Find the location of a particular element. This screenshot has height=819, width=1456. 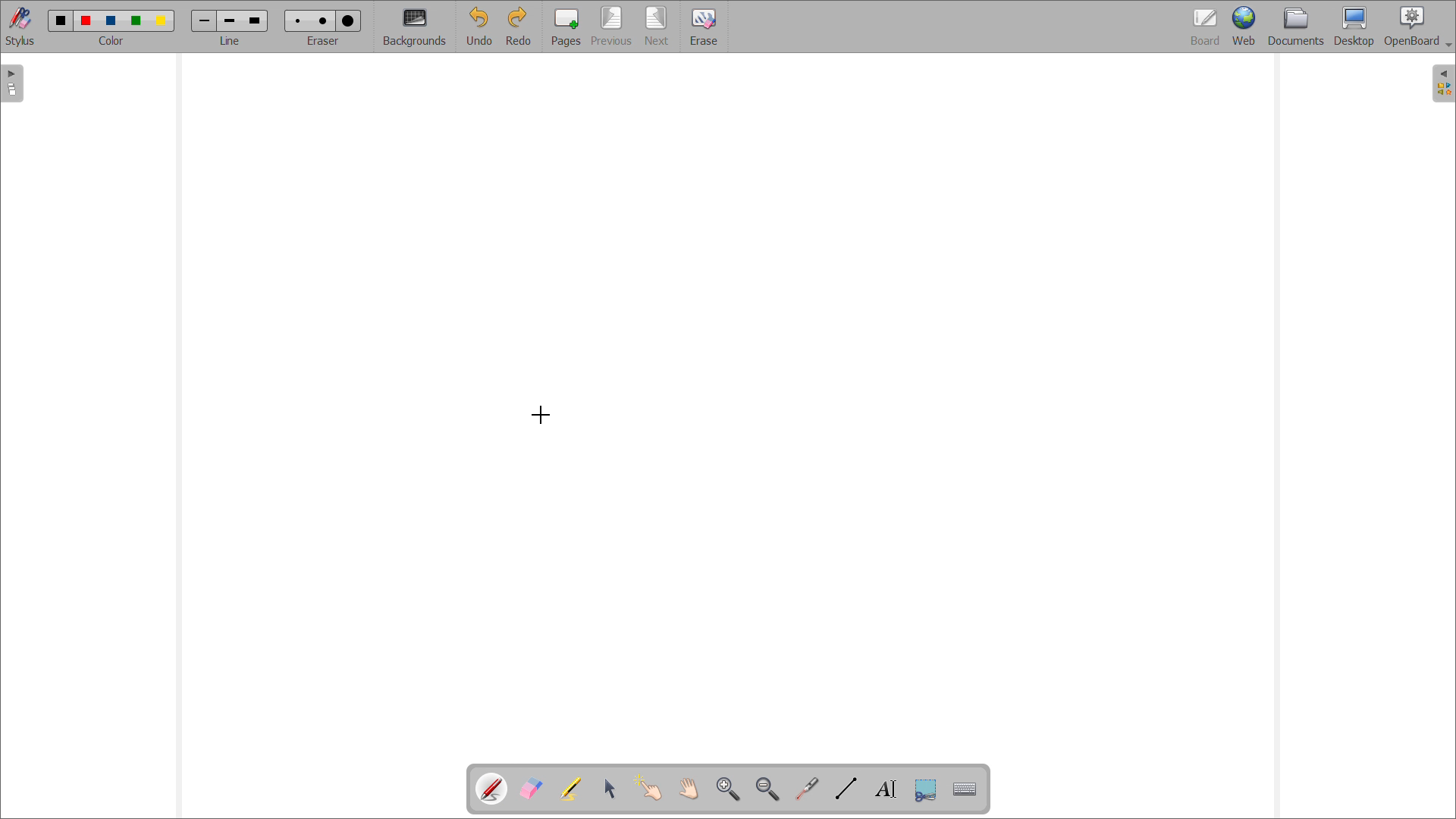

capture part of the screen is located at coordinates (926, 789).